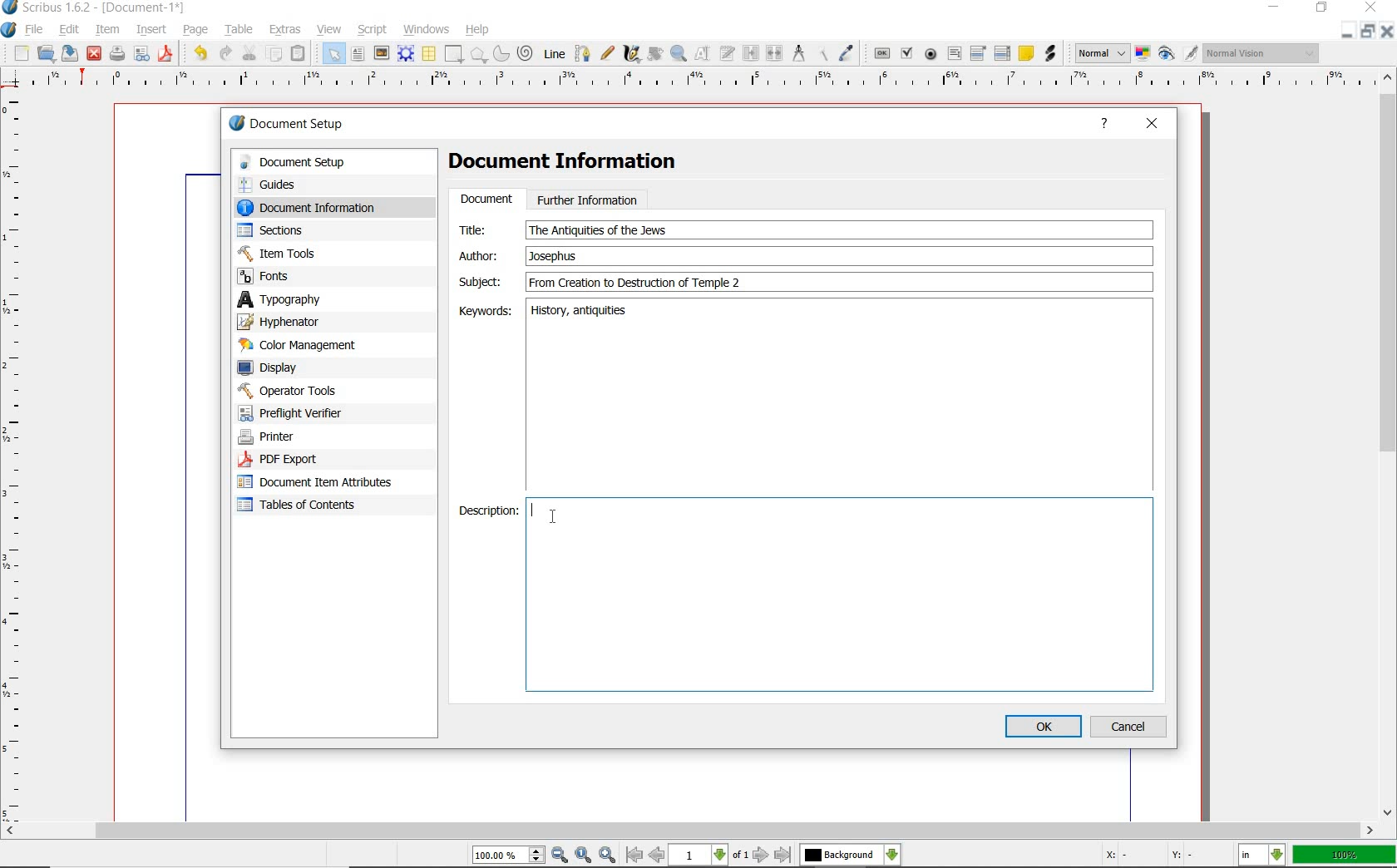 The height and width of the screenshot is (868, 1397). I want to click on page, so click(199, 30).